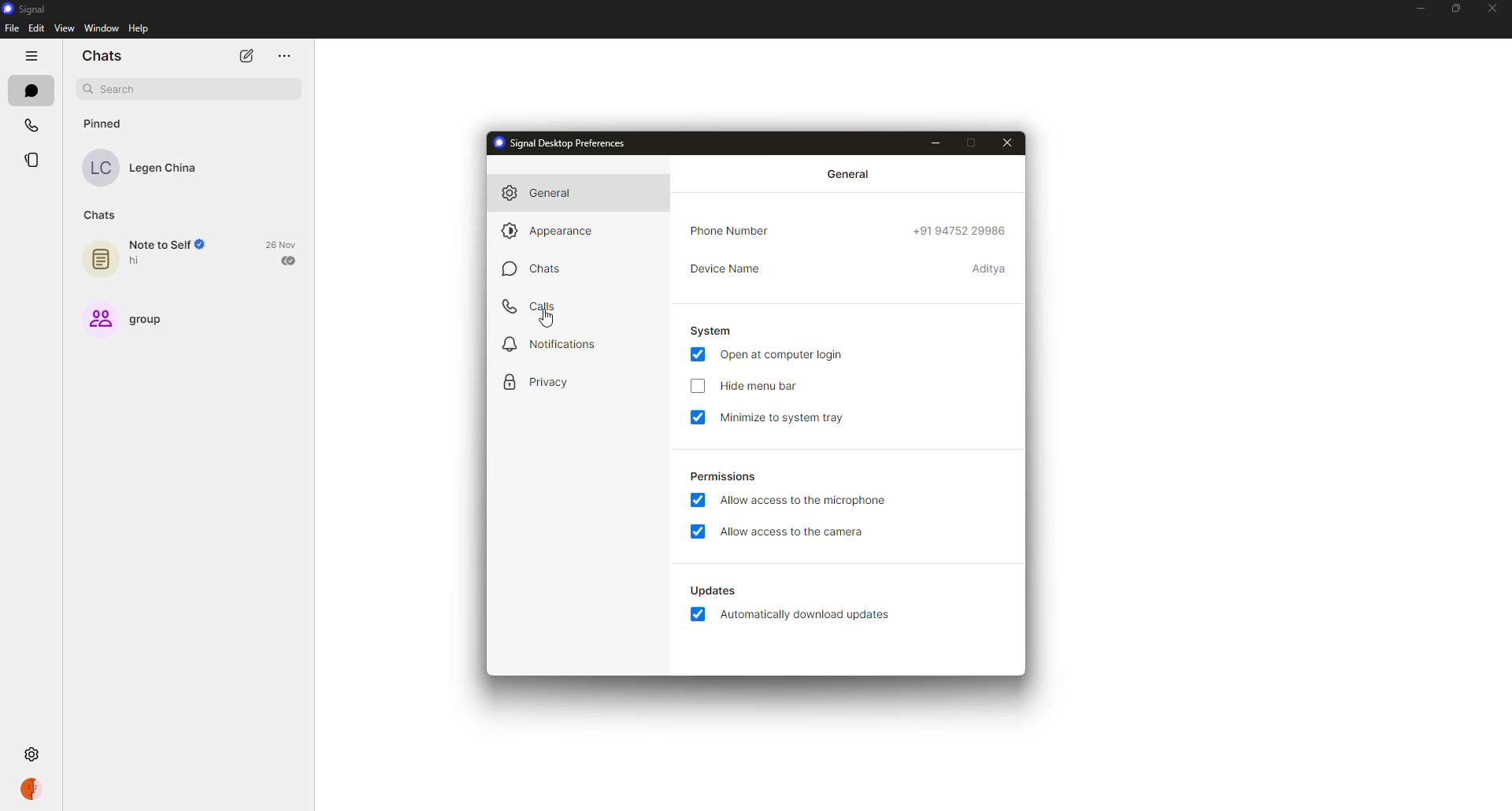 The width and height of the screenshot is (1512, 811). Describe the element at coordinates (29, 125) in the screenshot. I see `calls` at that location.